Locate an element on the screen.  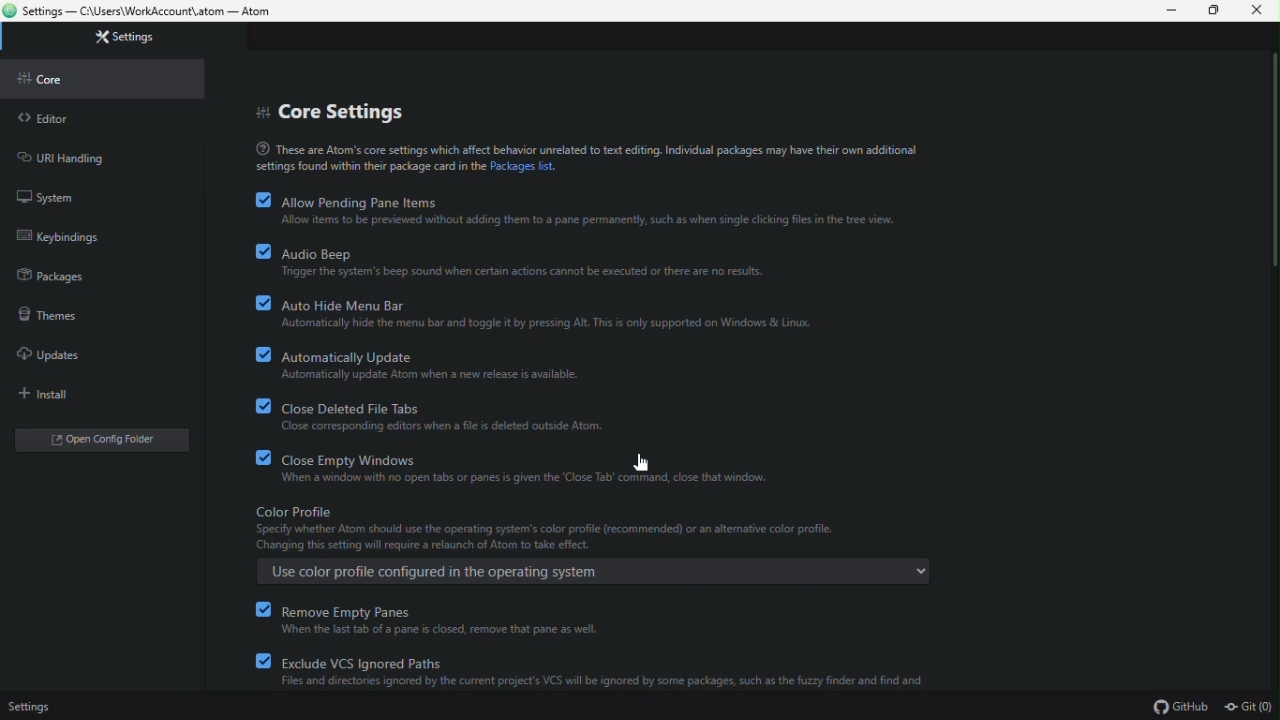
audio beep is located at coordinates (609, 260).